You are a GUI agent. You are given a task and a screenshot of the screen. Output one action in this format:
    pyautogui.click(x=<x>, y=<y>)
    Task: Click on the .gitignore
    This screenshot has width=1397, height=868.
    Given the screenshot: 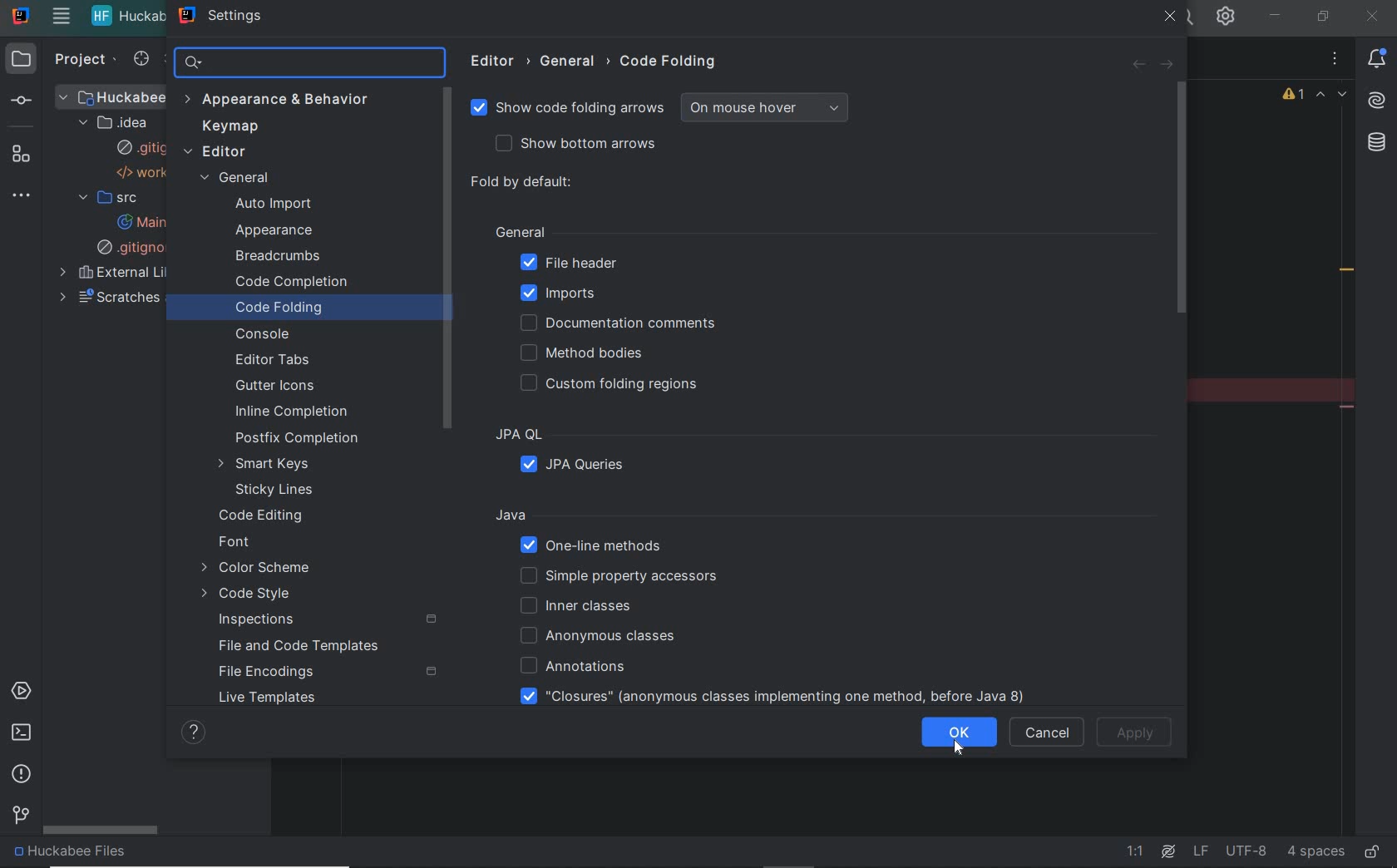 What is the action you would take?
    pyautogui.click(x=141, y=248)
    